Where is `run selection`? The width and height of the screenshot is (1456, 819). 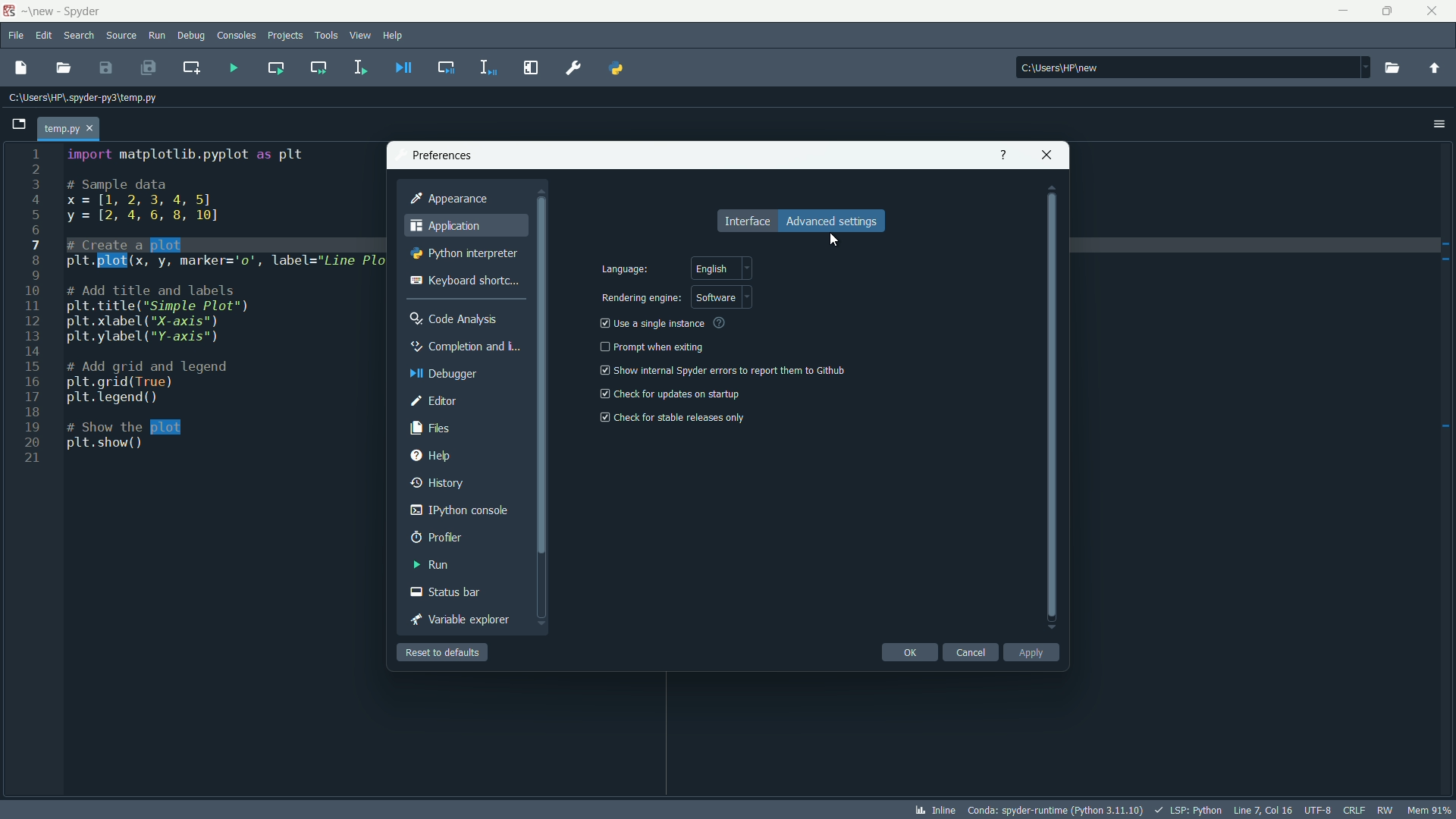 run selection is located at coordinates (360, 68).